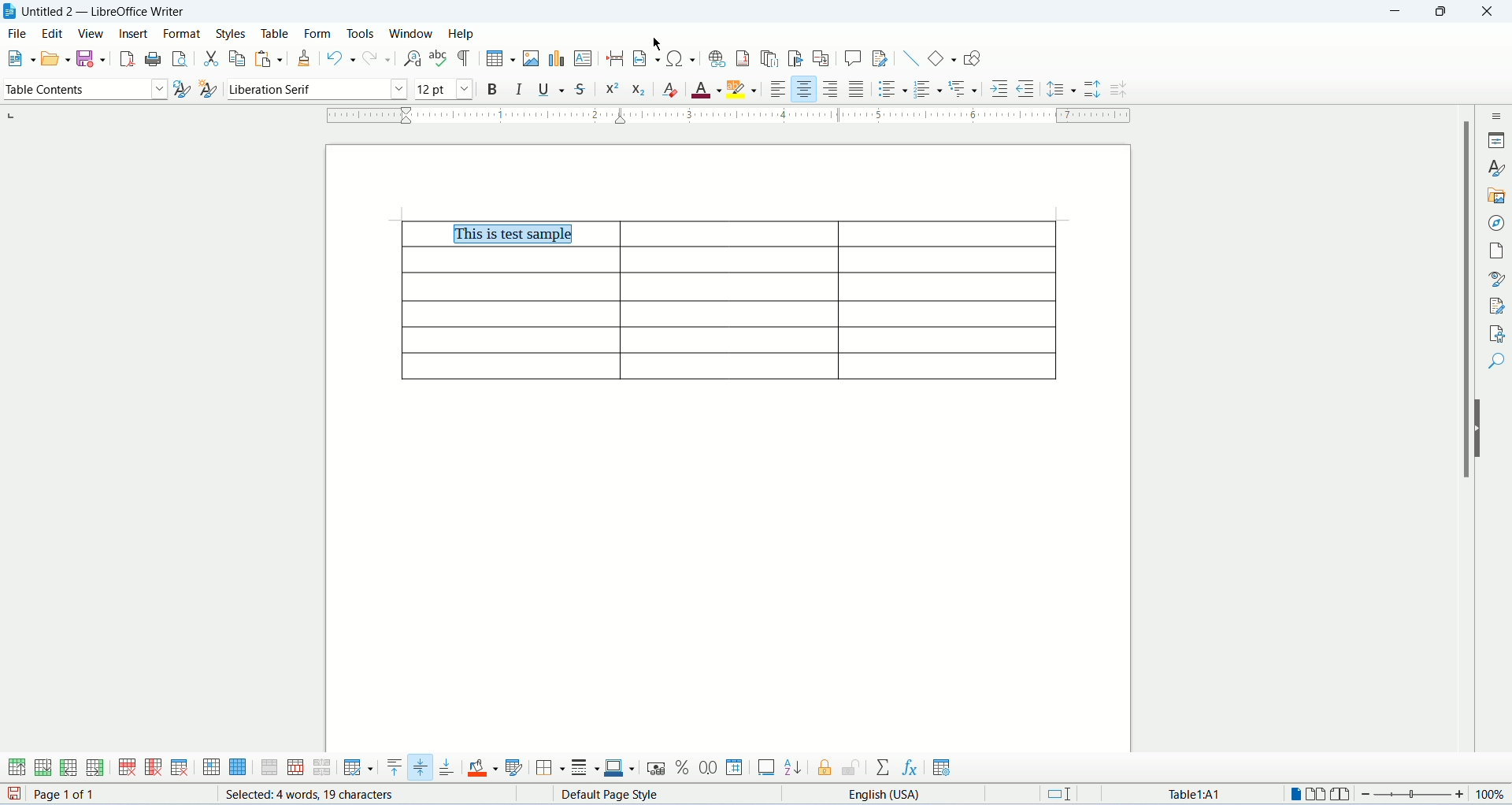 This screenshot has width=1512, height=805. Describe the element at coordinates (413, 33) in the screenshot. I see `window` at that location.